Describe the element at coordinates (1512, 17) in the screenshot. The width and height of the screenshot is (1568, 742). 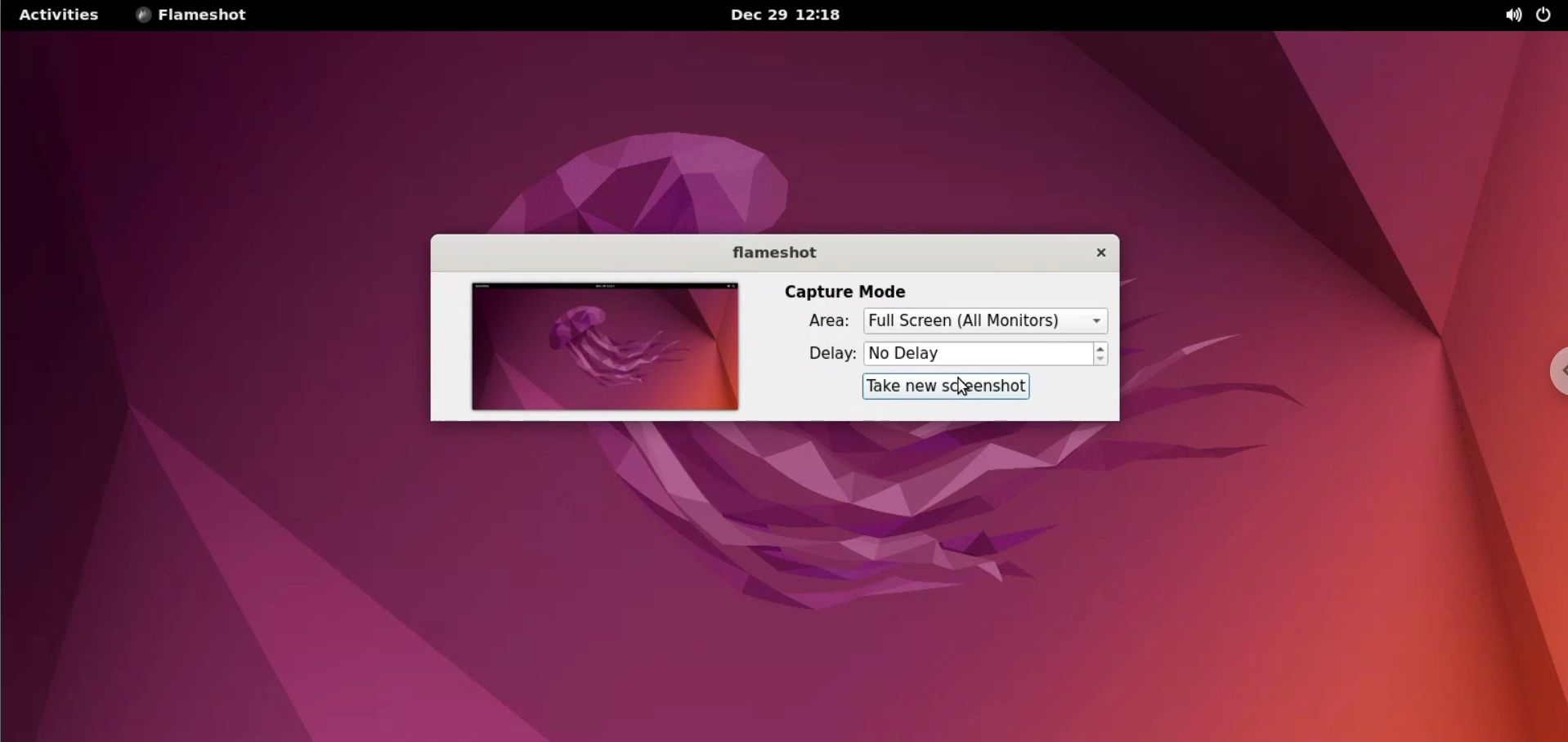
I see `sound options` at that location.